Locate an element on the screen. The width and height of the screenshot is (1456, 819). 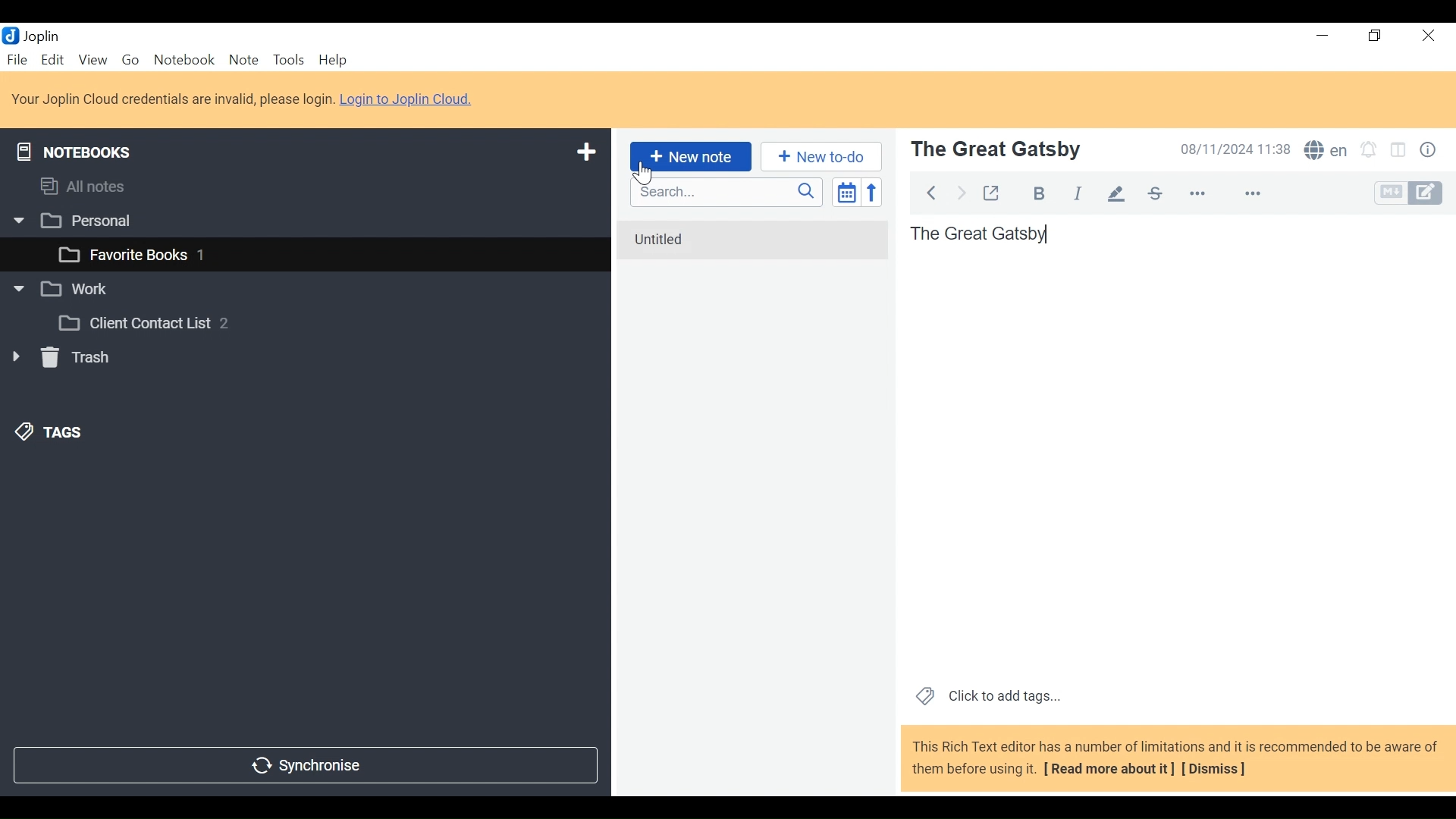
Toggle external editing is located at coordinates (993, 193).